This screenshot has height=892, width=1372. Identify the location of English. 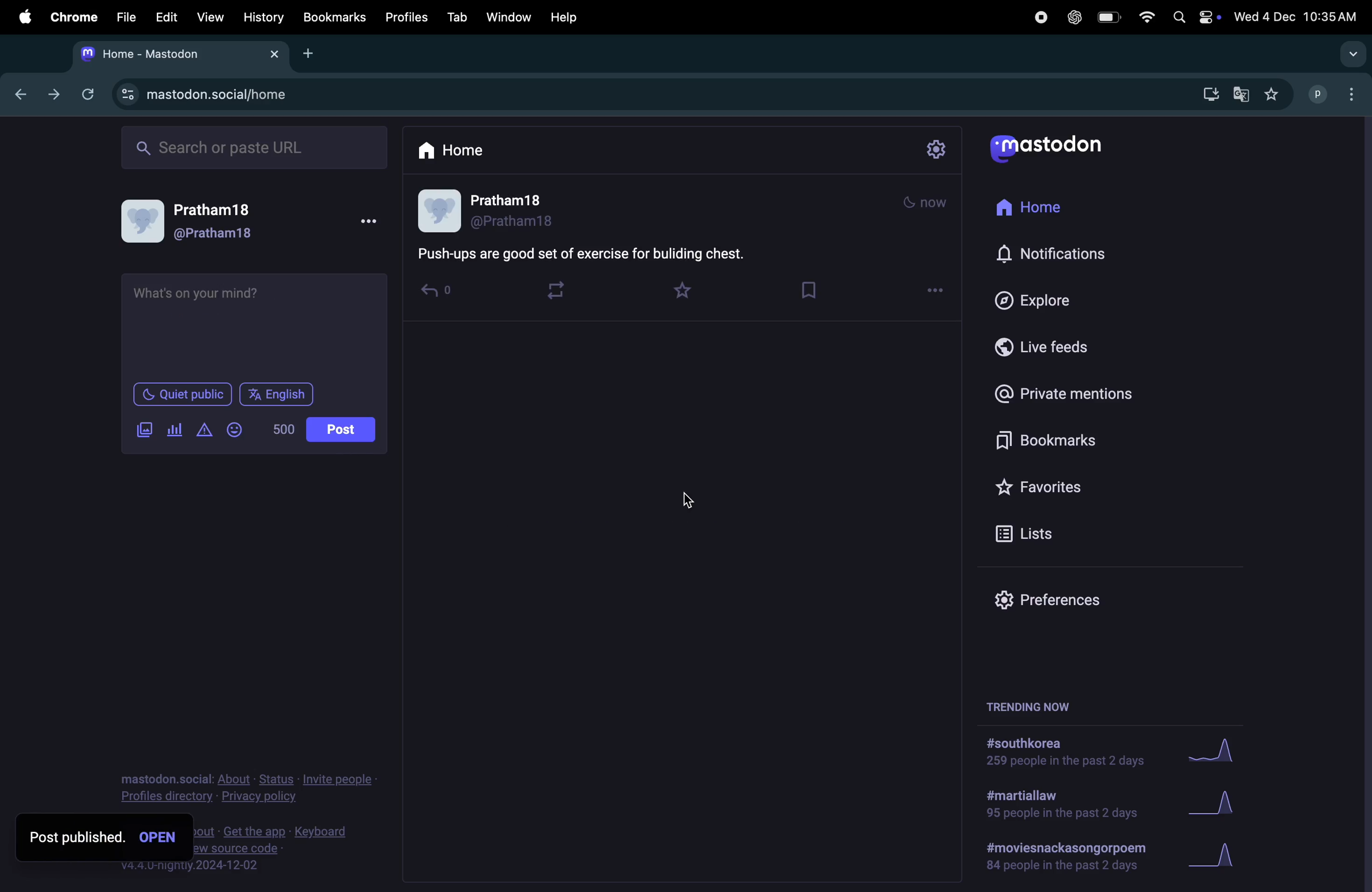
(276, 395).